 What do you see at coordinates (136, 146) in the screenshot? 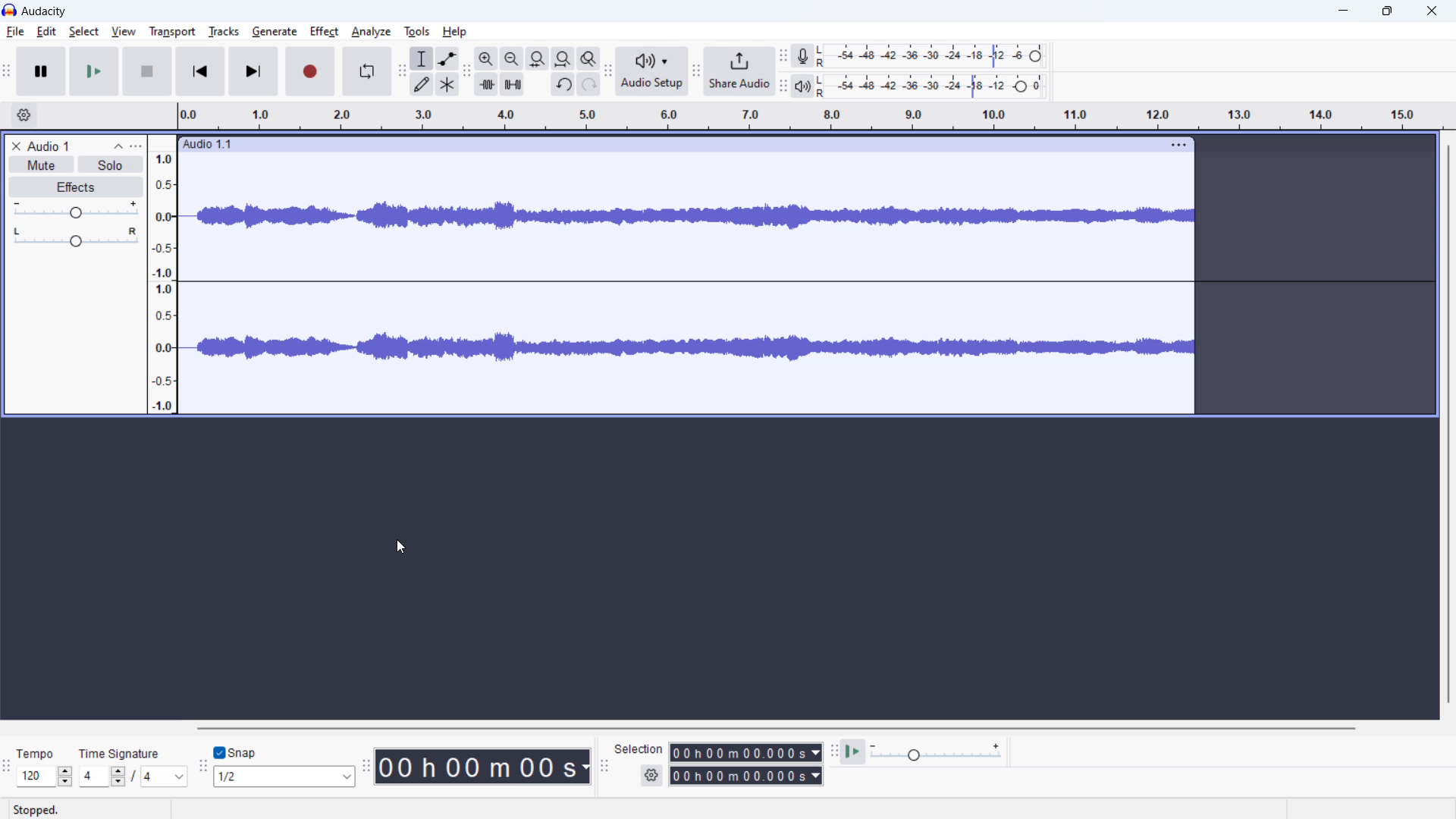
I see `options` at bounding box center [136, 146].